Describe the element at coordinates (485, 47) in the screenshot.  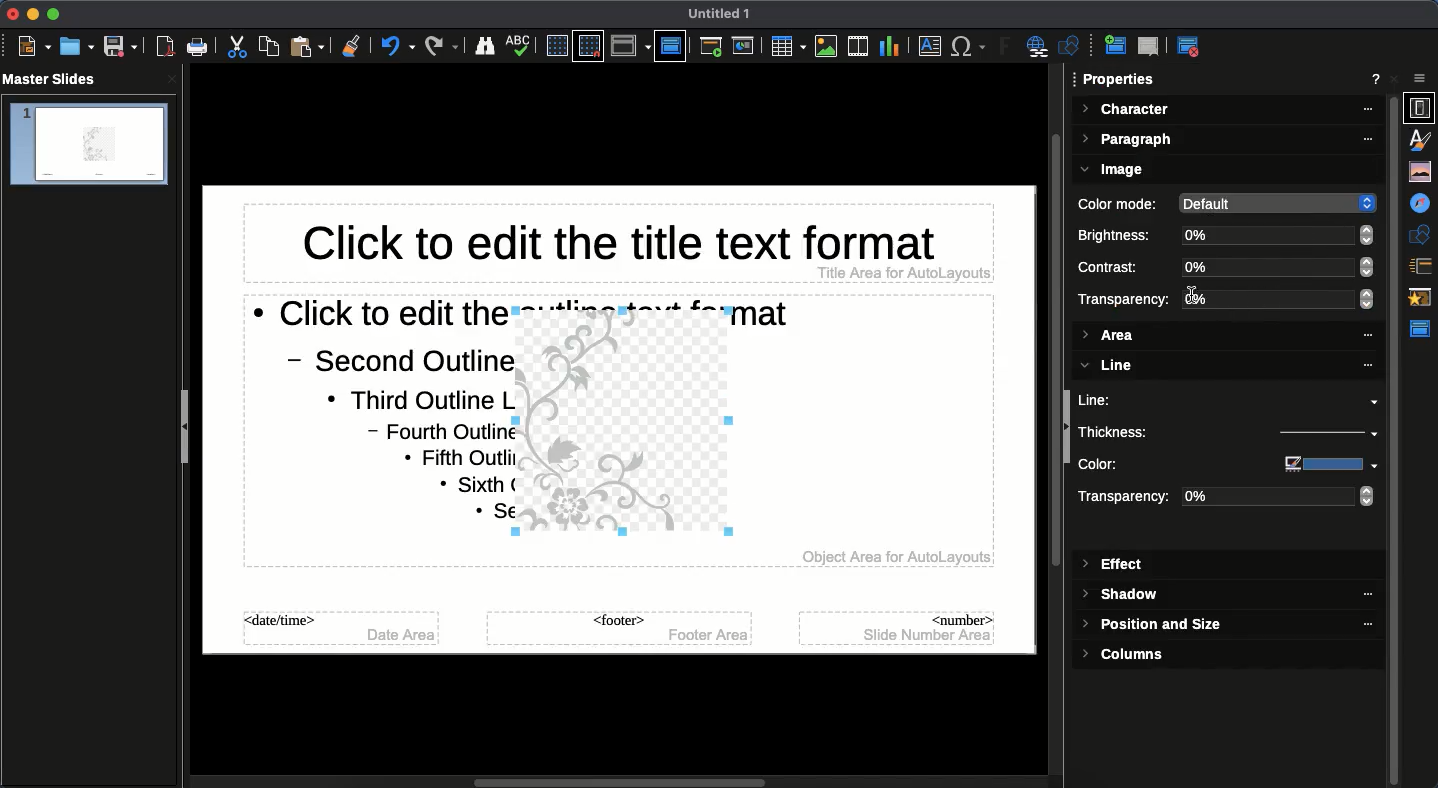
I see `Finder` at that location.